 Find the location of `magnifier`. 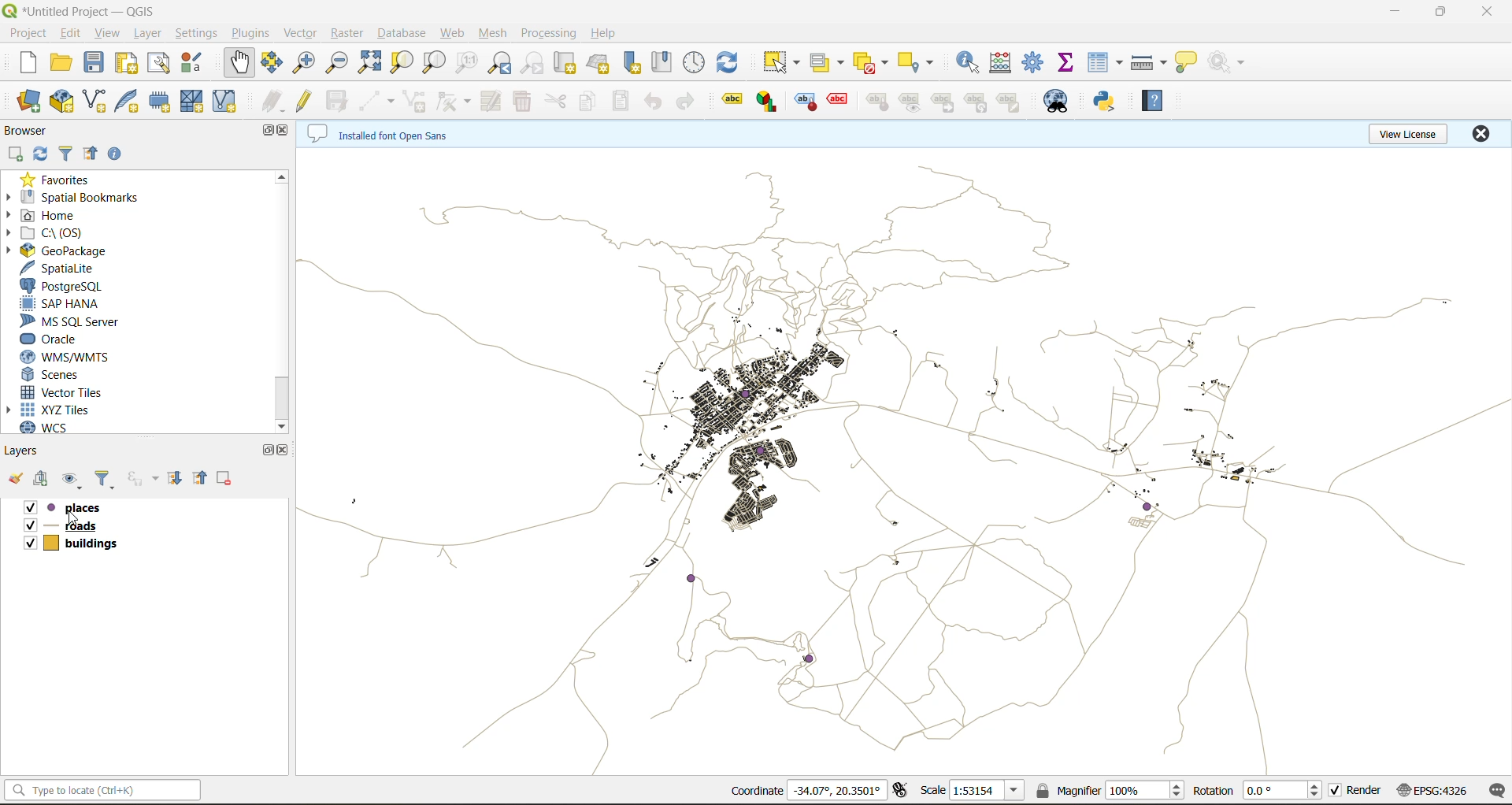

magnifier is located at coordinates (1111, 789).